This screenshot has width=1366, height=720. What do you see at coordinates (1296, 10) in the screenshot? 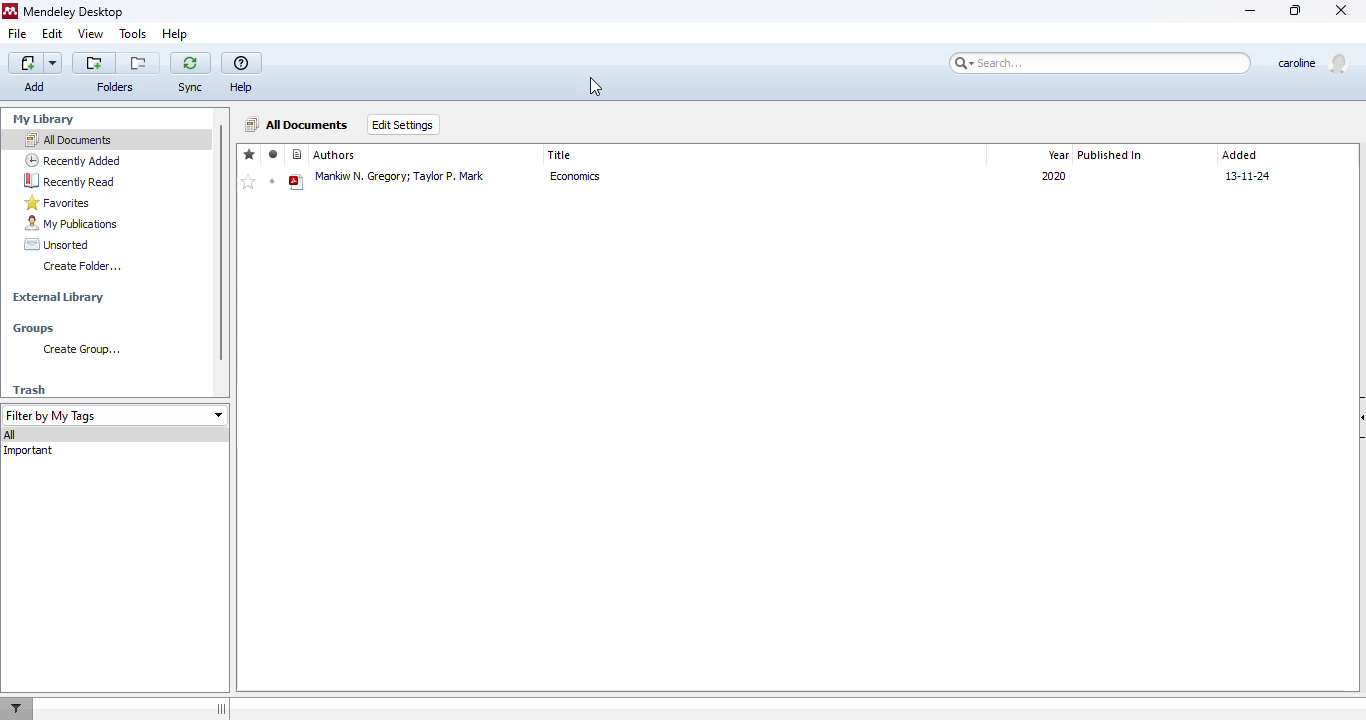
I see `maximize` at bounding box center [1296, 10].